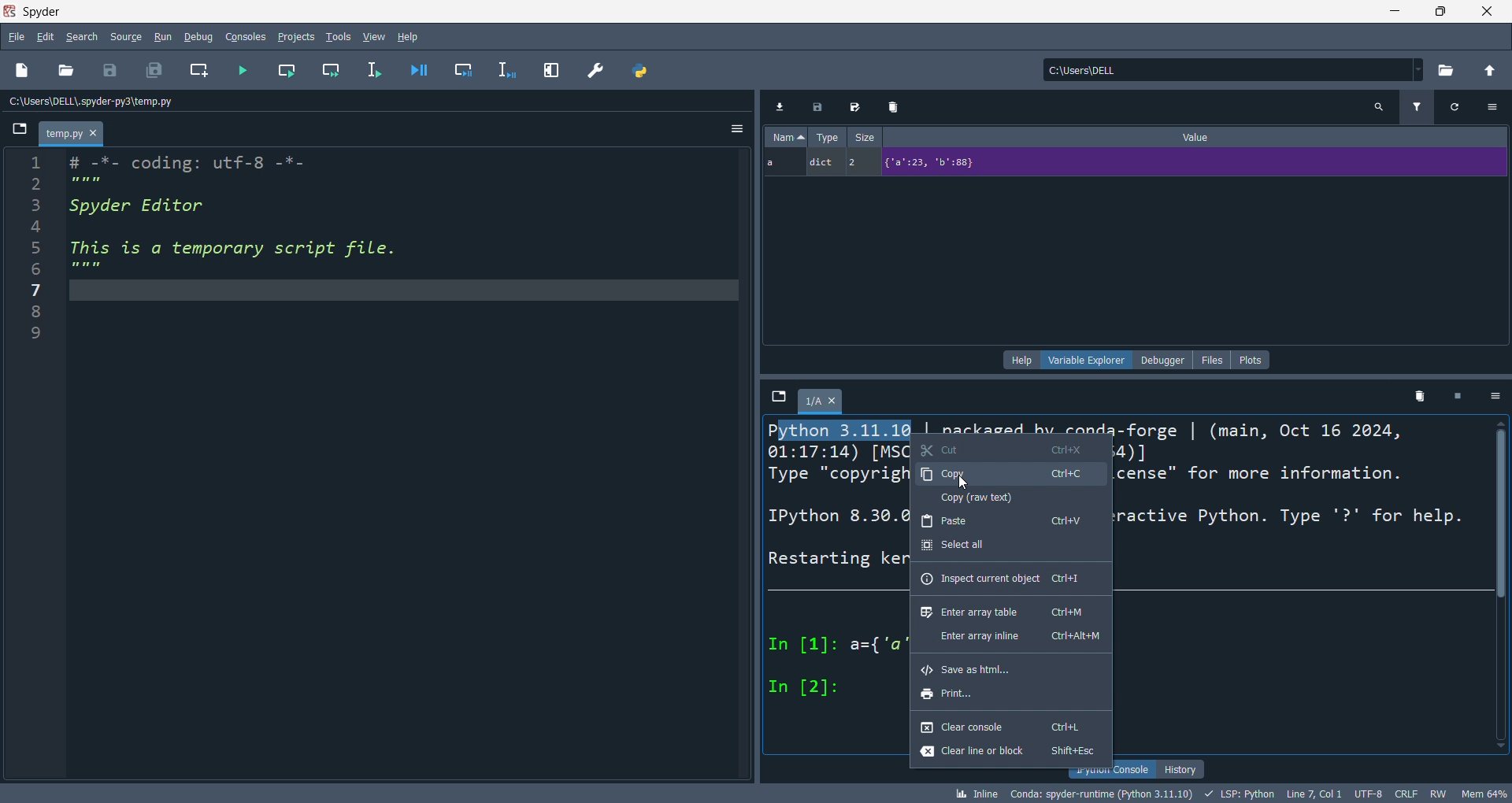  What do you see at coordinates (1420, 105) in the screenshot?
I see `filter` at bounding box center [1420, 105].